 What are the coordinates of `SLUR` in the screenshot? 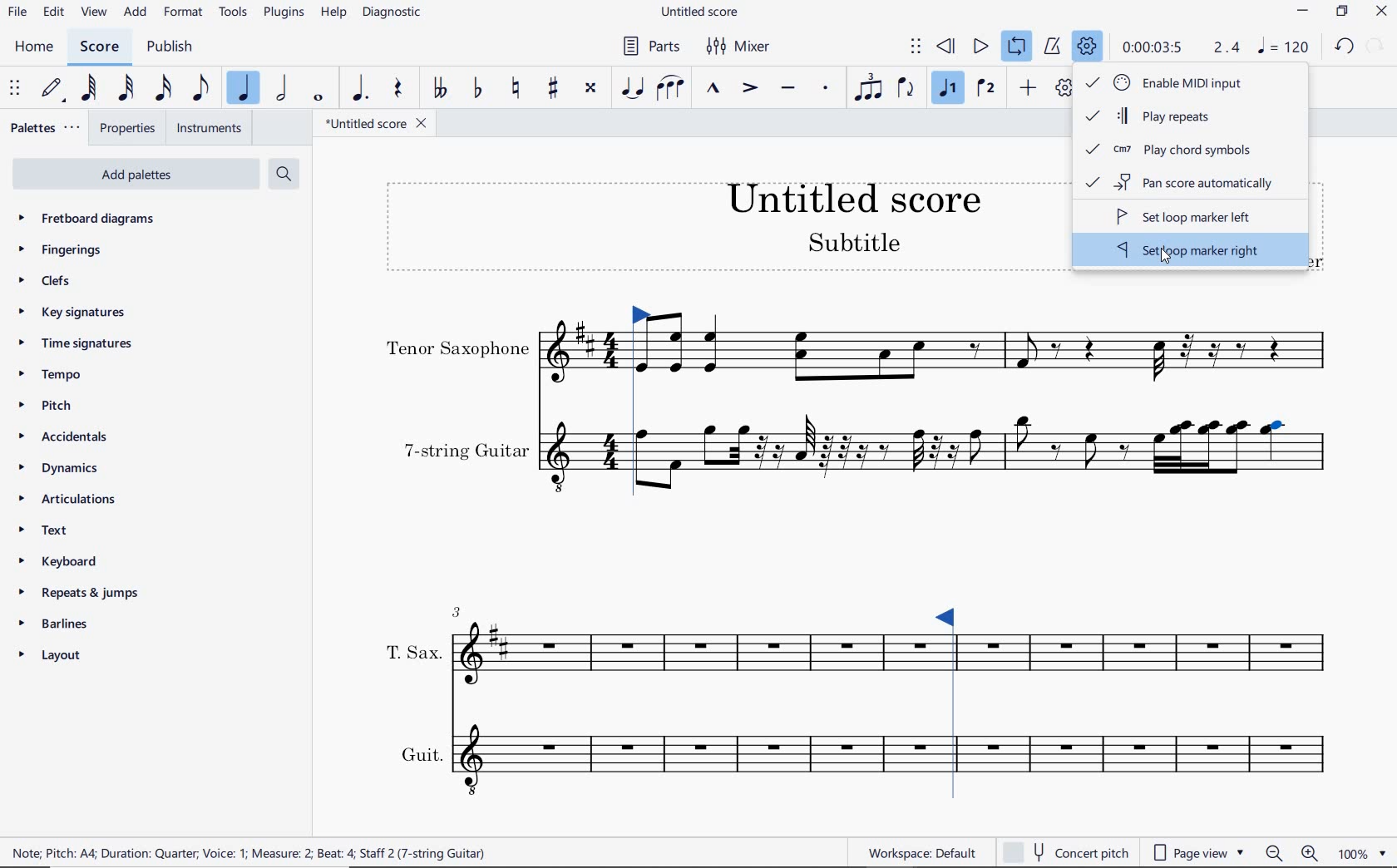 It's located at (669, 89).